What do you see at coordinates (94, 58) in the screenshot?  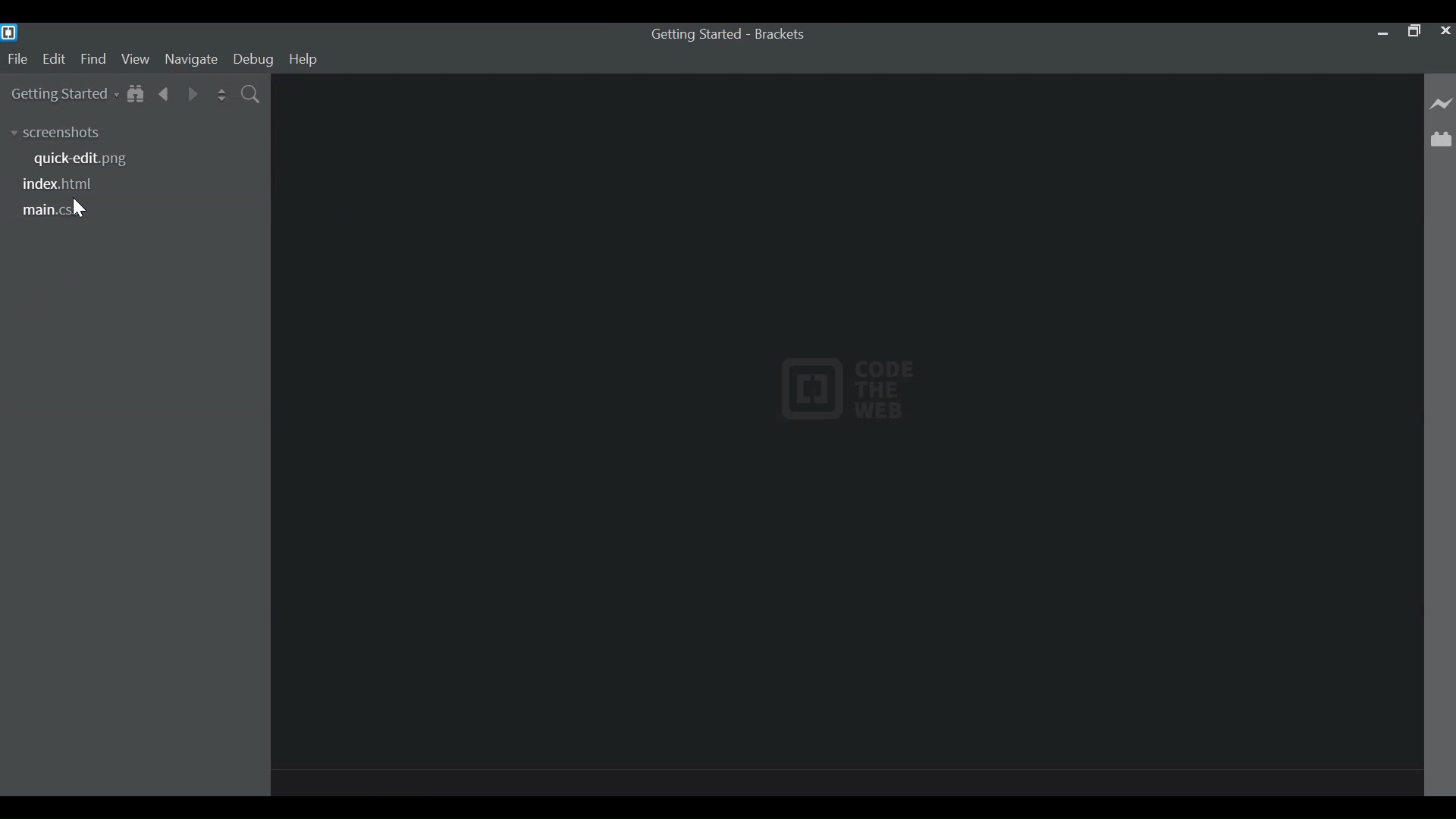 I see `Find` at bounding box center [94, 58].